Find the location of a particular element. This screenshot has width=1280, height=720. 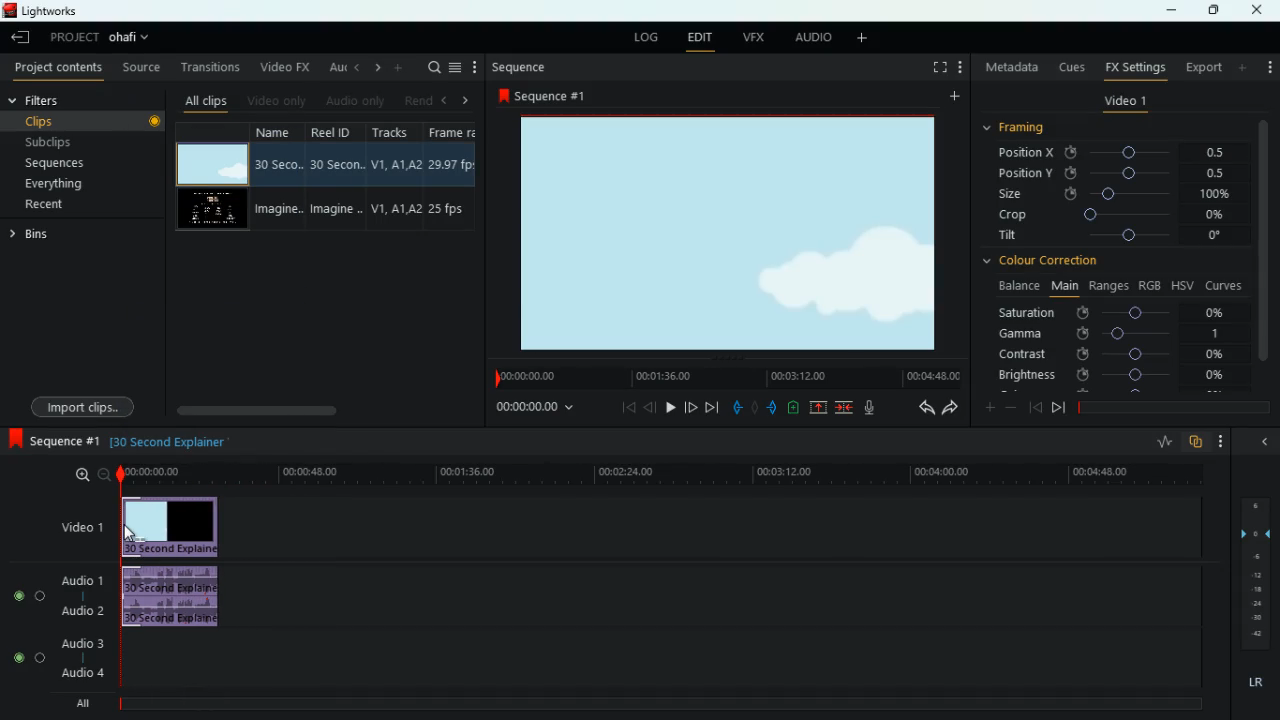

main is located at coordinates (1064, 285).